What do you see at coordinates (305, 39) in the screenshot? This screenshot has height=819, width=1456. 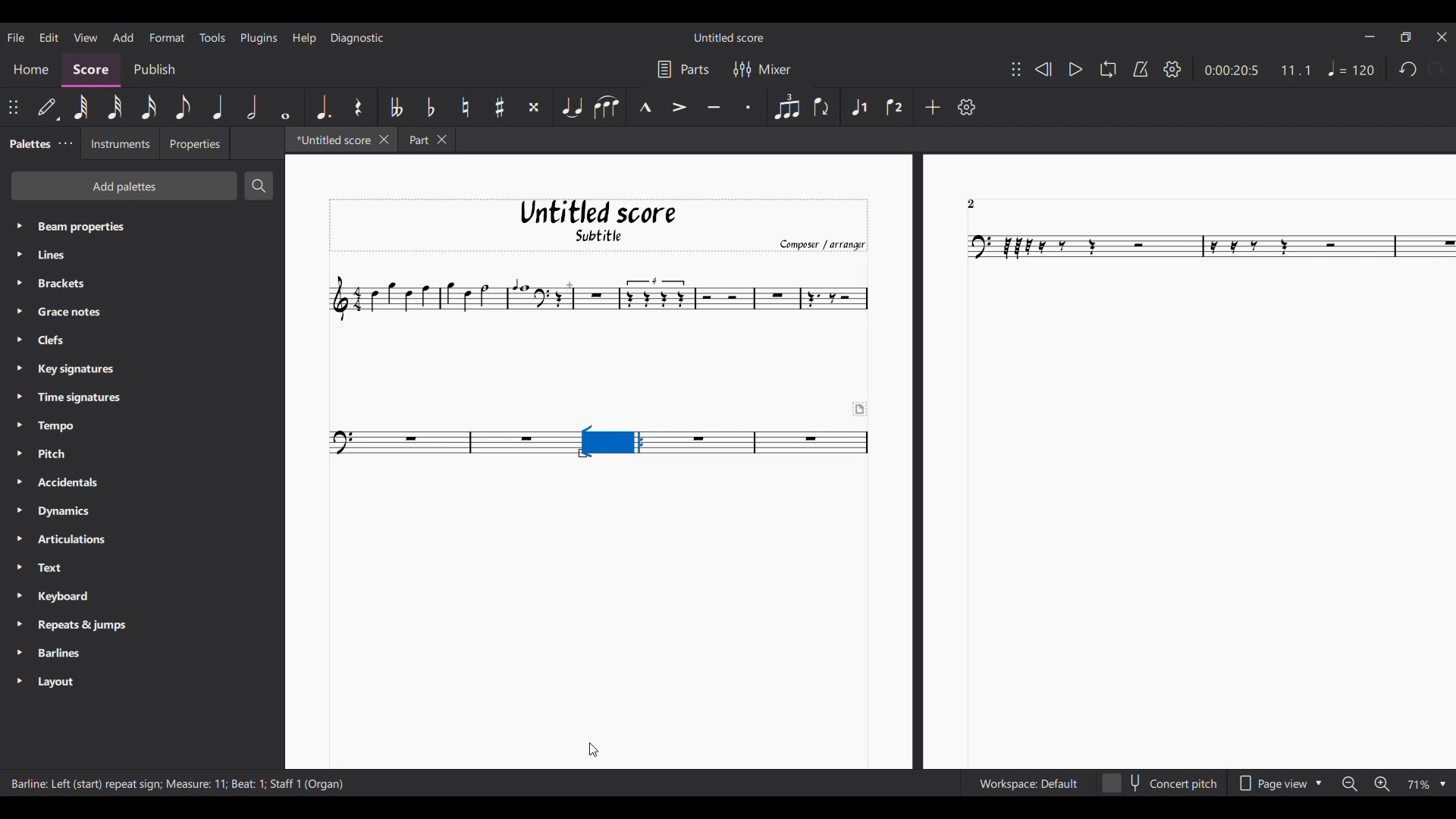 I see `Help menu` at bounding box center [305, 39].